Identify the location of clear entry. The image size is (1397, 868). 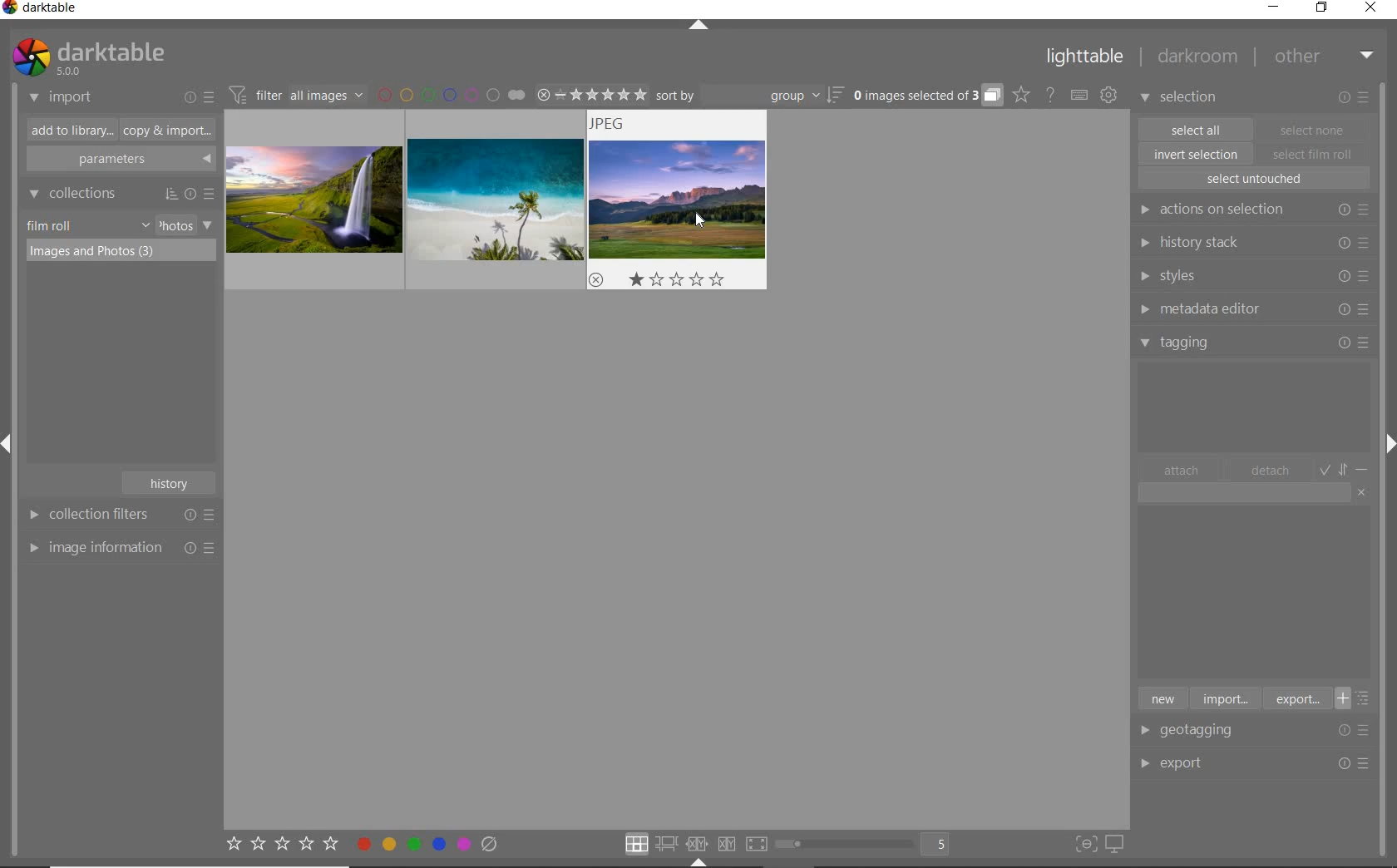
(1362, 491).